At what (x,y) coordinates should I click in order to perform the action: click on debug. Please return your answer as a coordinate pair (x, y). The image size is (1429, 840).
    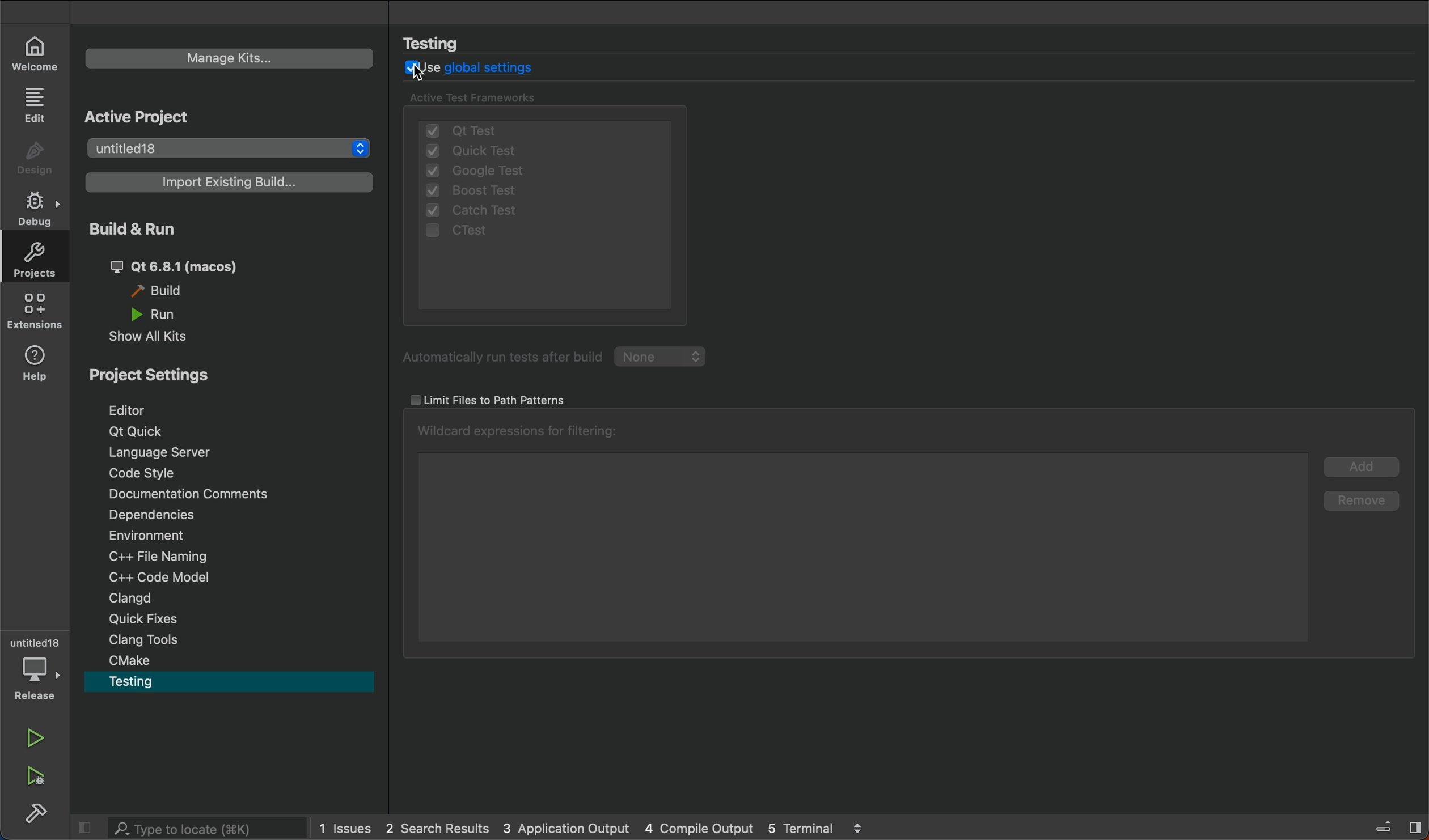
    Looking at the image, I should click on (33, 209).